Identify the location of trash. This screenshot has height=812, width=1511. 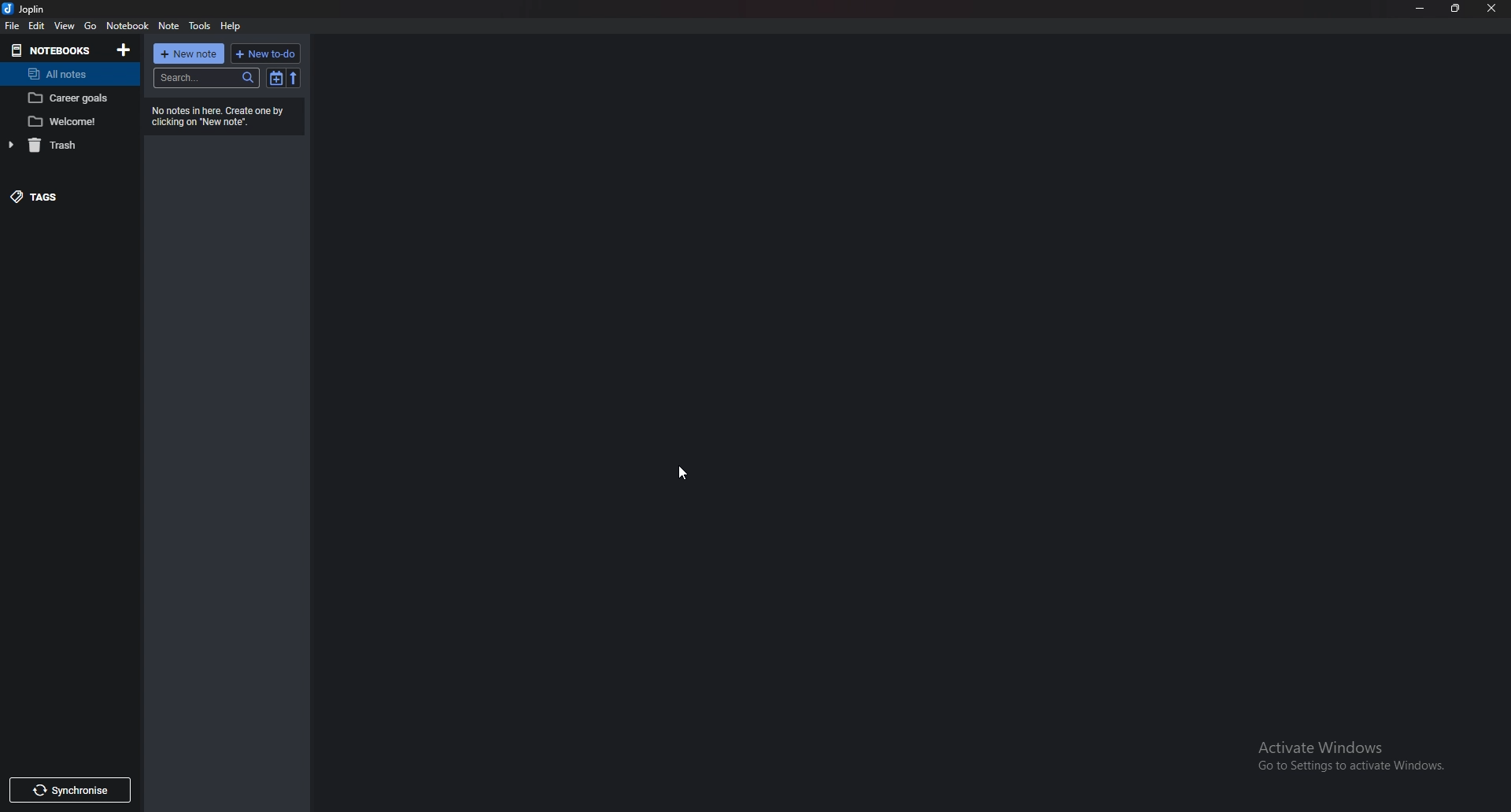
(63, 144).